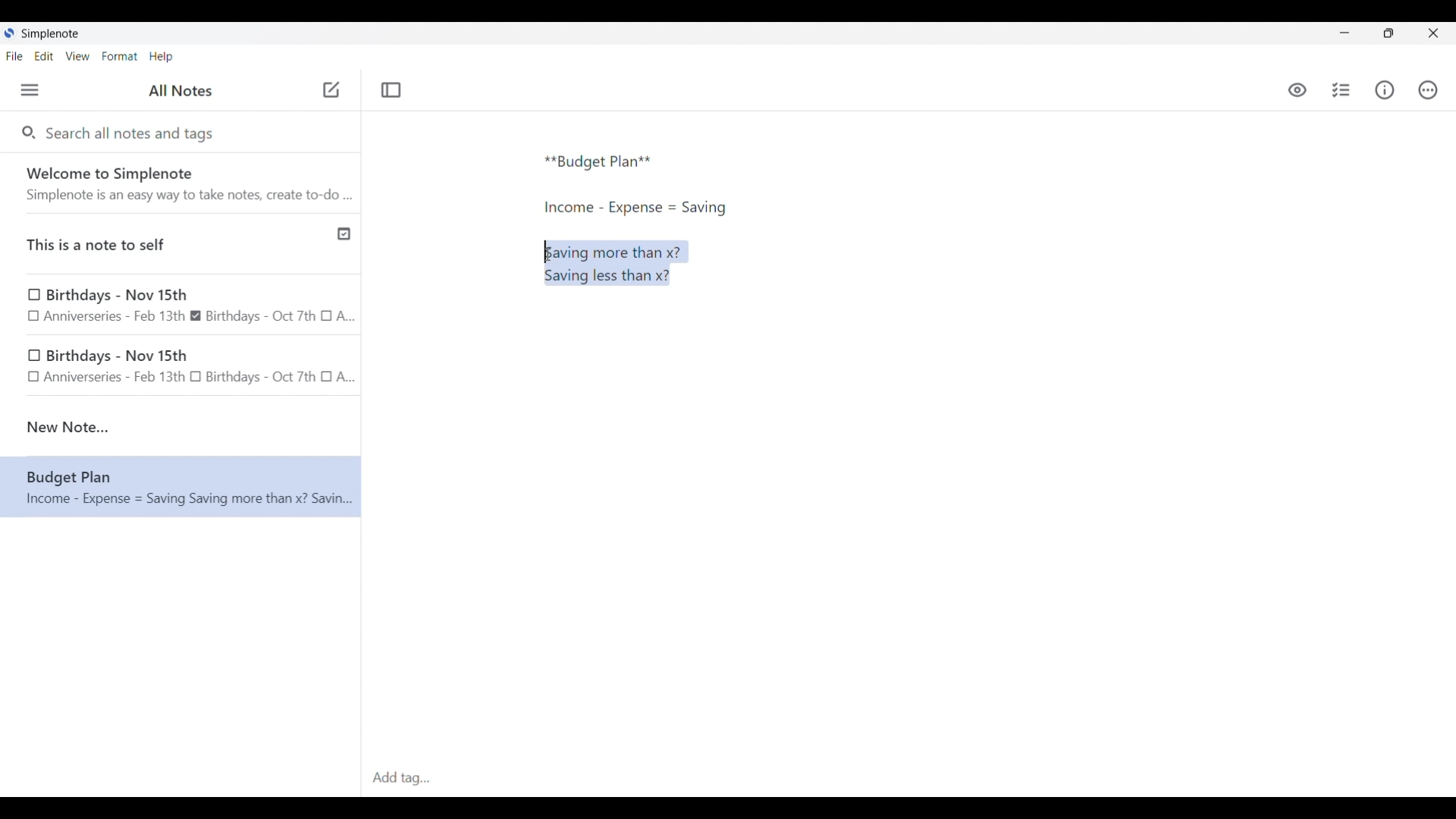  Describe the element at coordinates (161, 56) in the screenshot. I see `Help menu` at that location.